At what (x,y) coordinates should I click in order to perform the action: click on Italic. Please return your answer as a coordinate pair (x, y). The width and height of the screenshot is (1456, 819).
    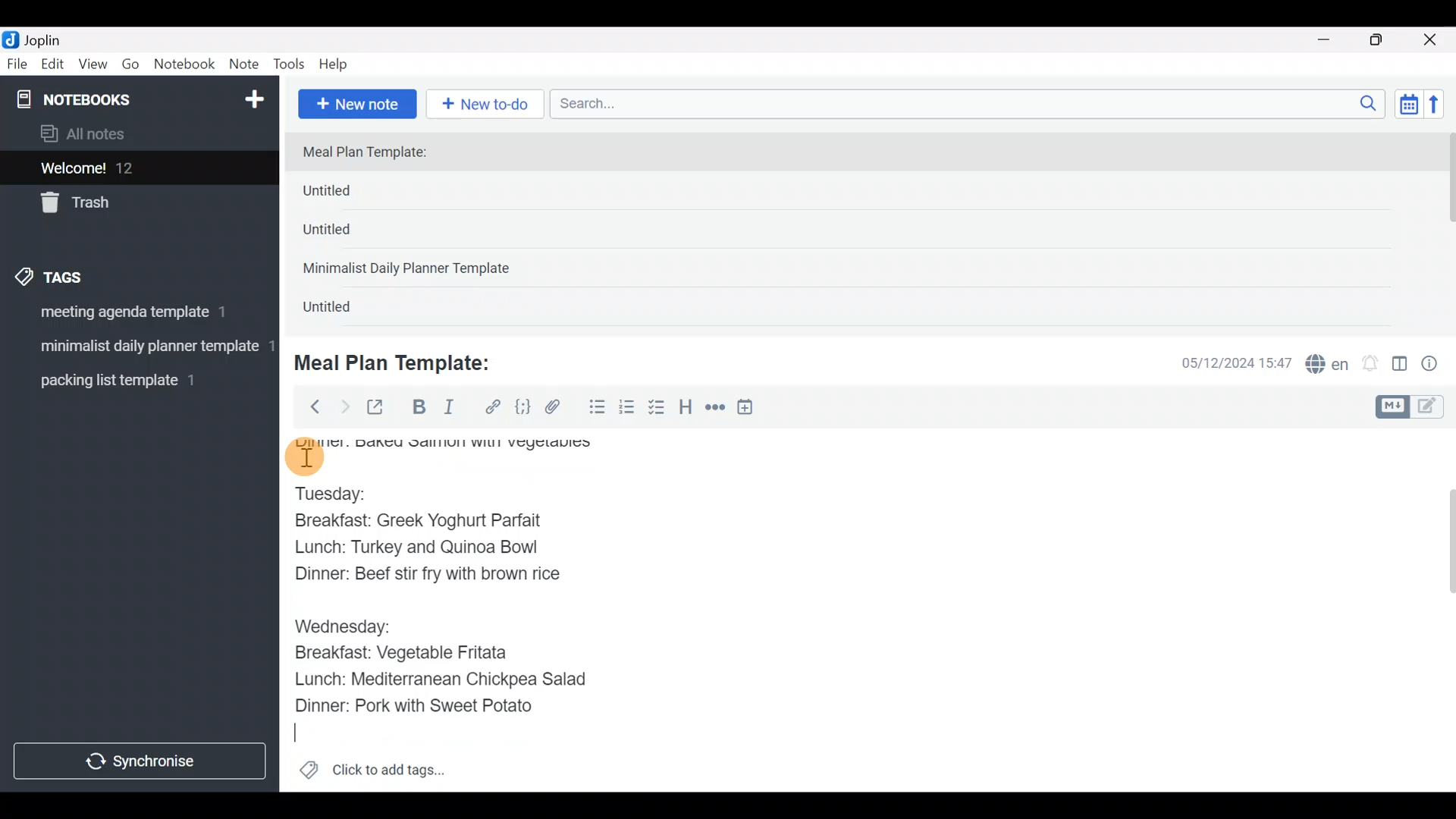
    Looking at the image, I should click on (447, 410).